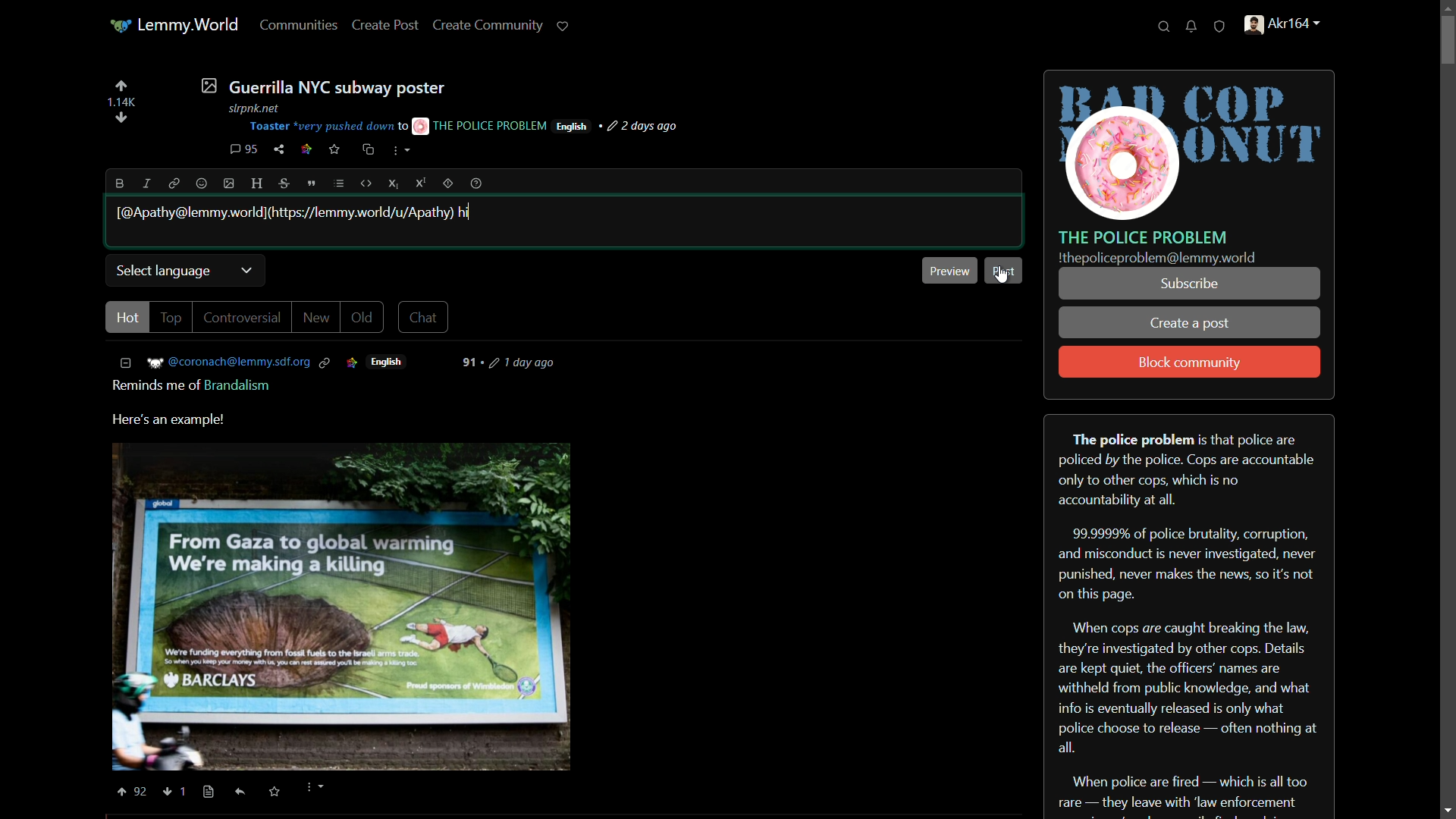  Describe the element at coordinates (1189, 615) in the screenshot. I see `about server` at that location.